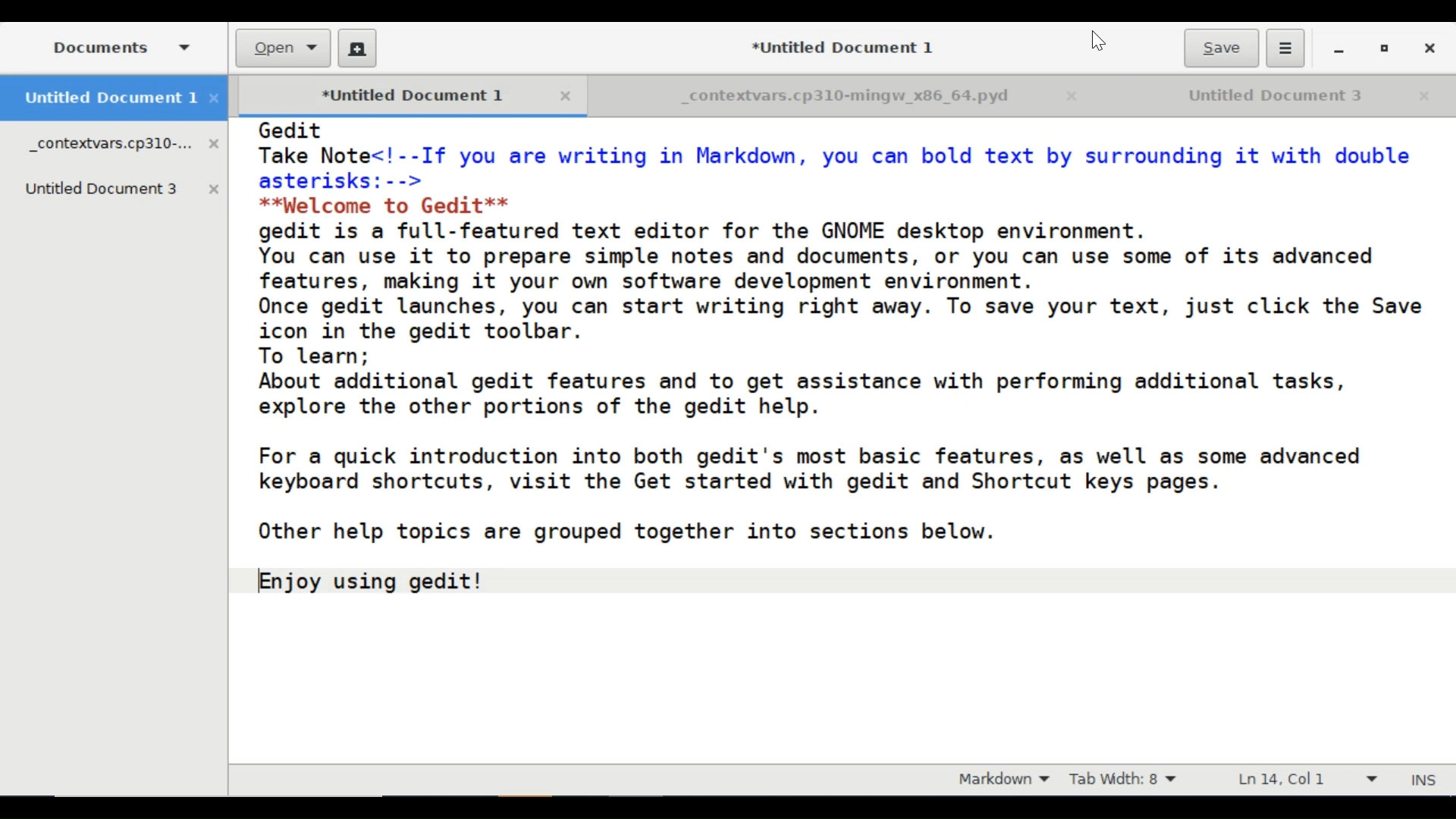 The image size is (1456, 819). I want to click on Close, so click(562, 96).